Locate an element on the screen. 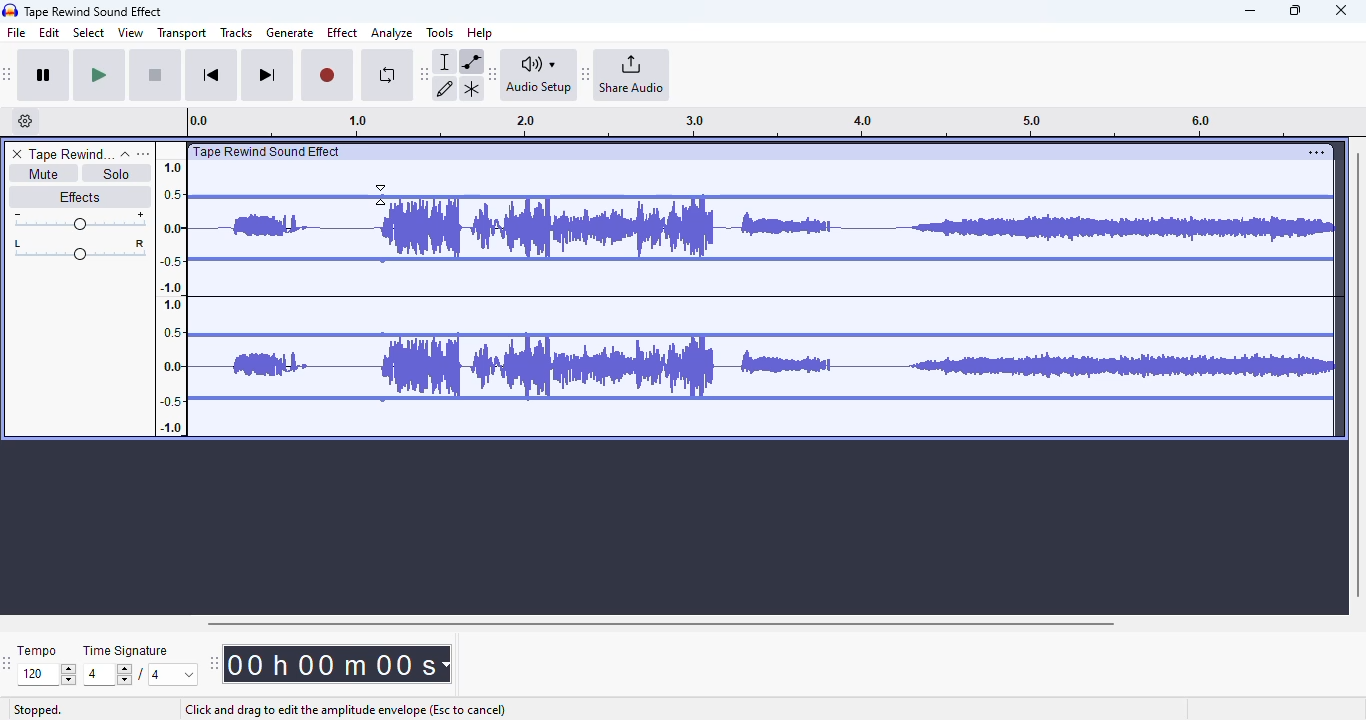 The image size is (1366, 720). select is located at coordinates (89, 32).